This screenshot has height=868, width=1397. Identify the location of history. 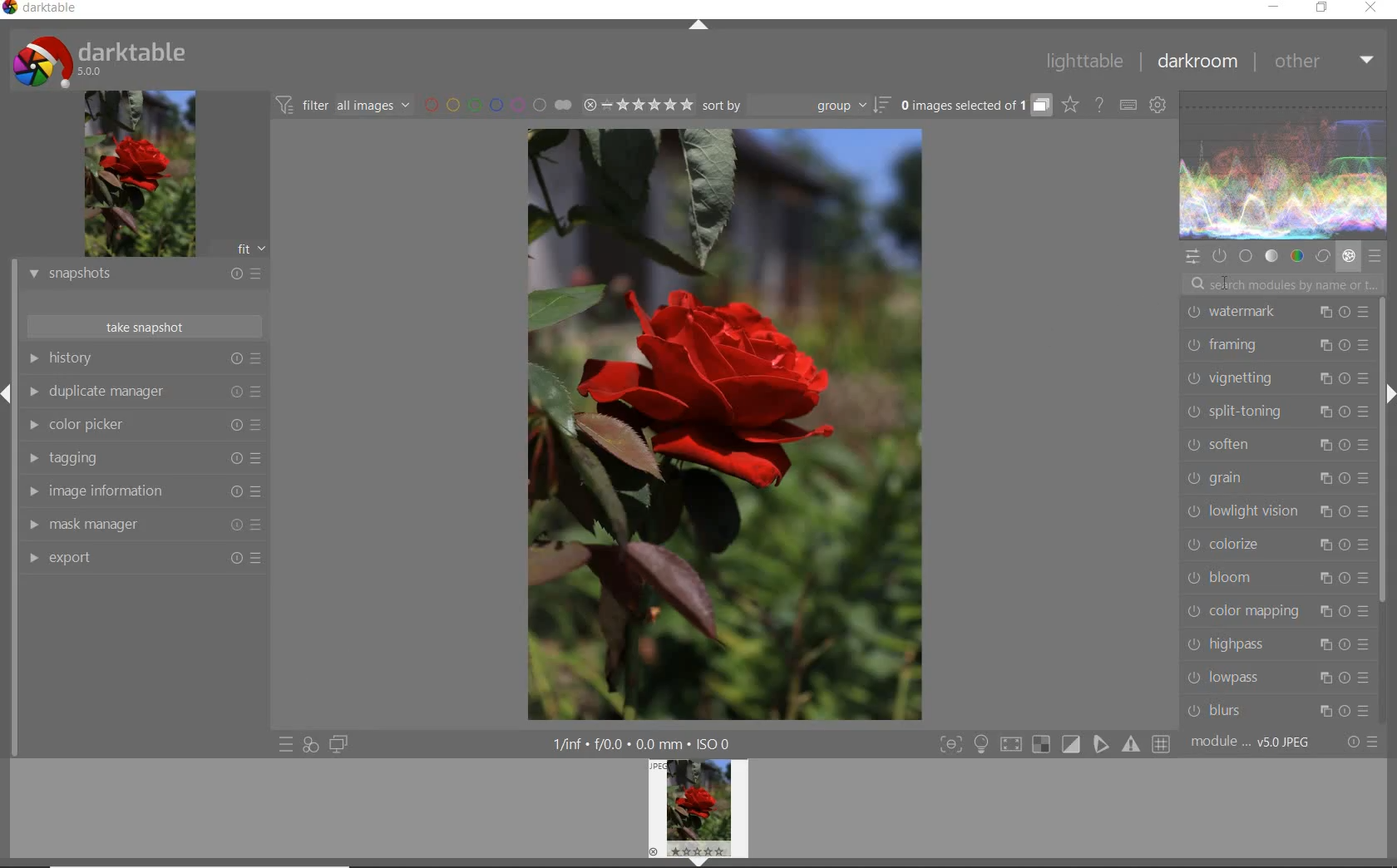
(142, 360).